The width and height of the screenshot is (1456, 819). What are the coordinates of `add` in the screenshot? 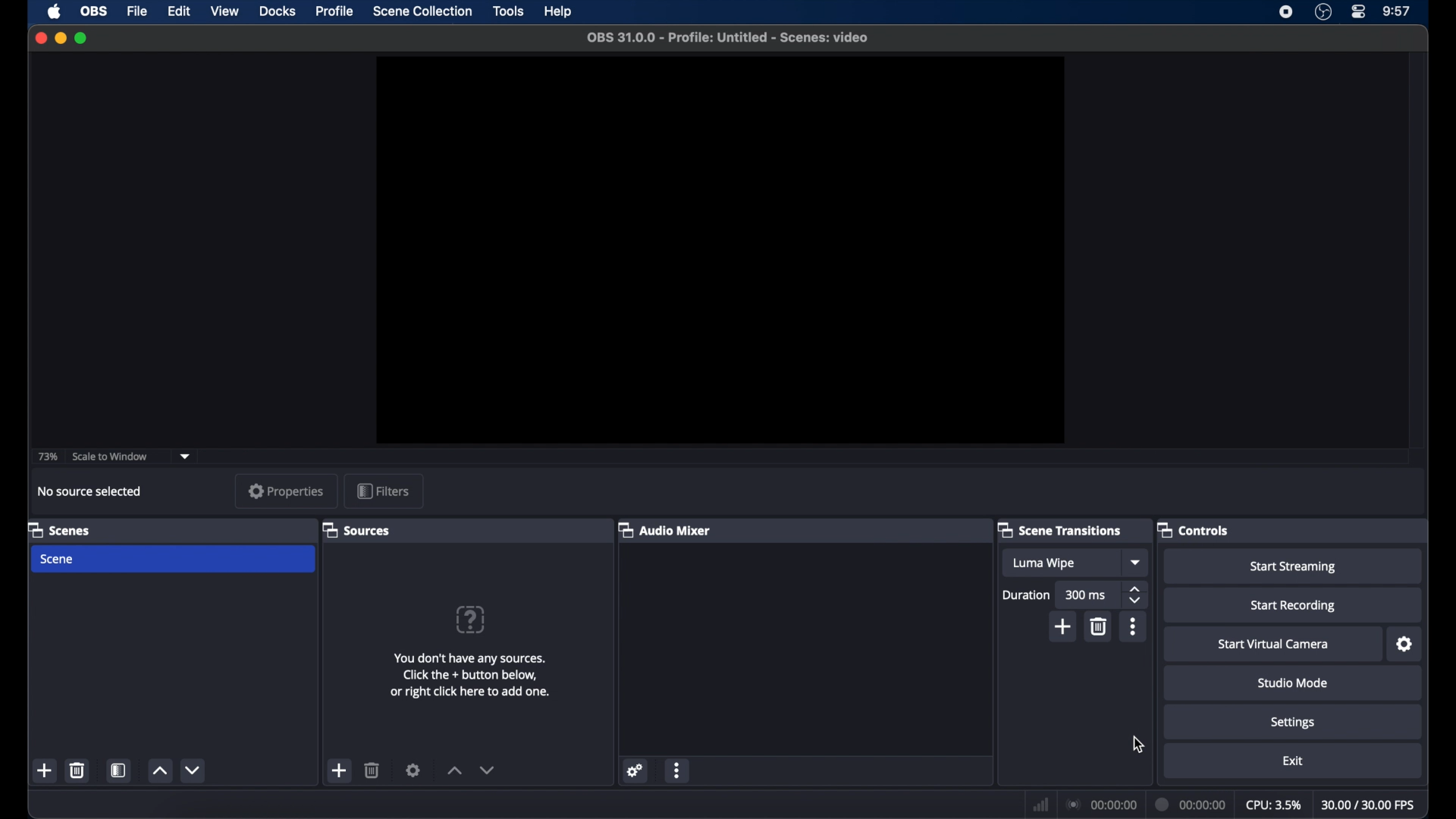 It's located at (1063, 626).